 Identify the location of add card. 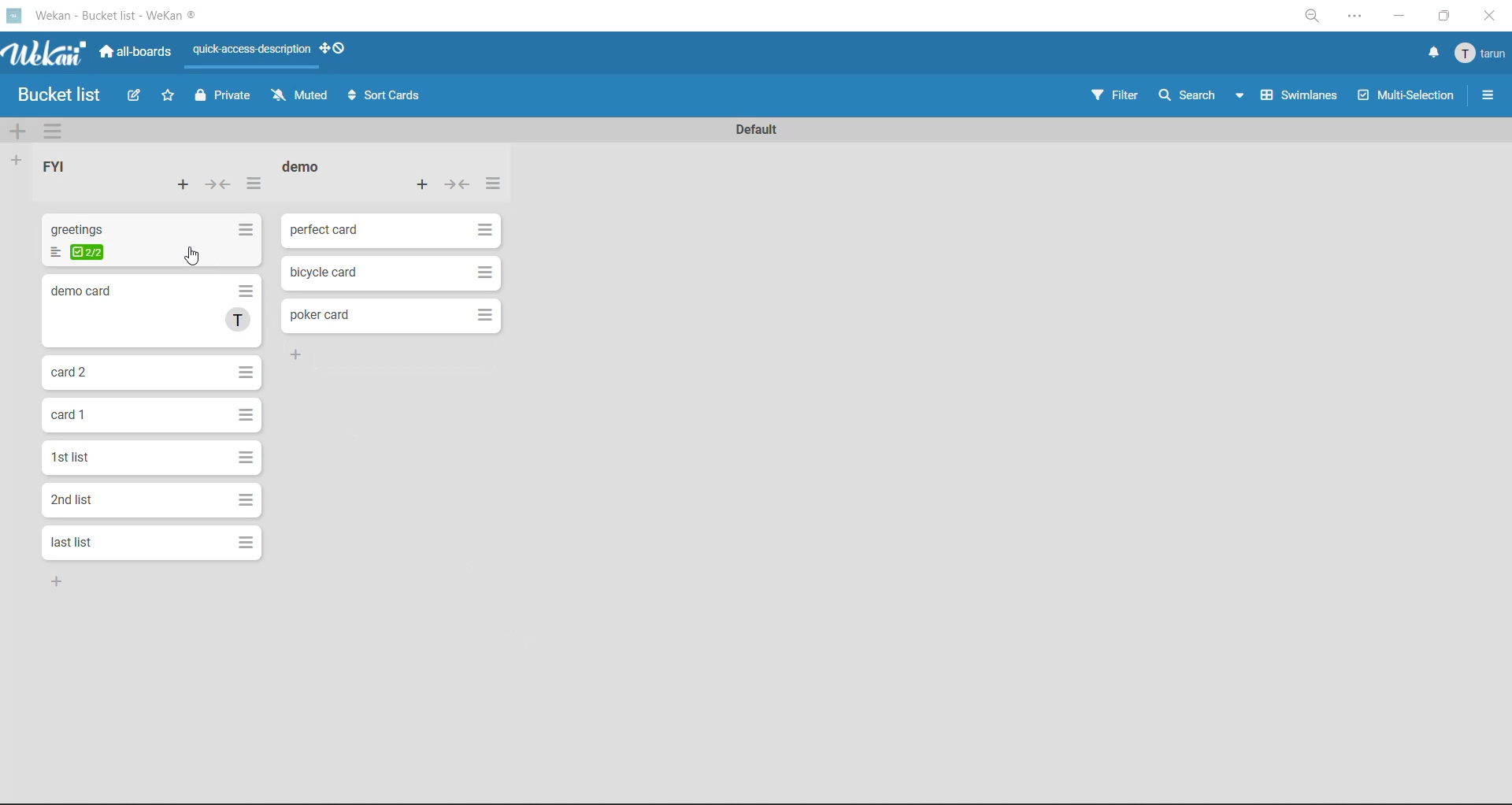
(188, 186).